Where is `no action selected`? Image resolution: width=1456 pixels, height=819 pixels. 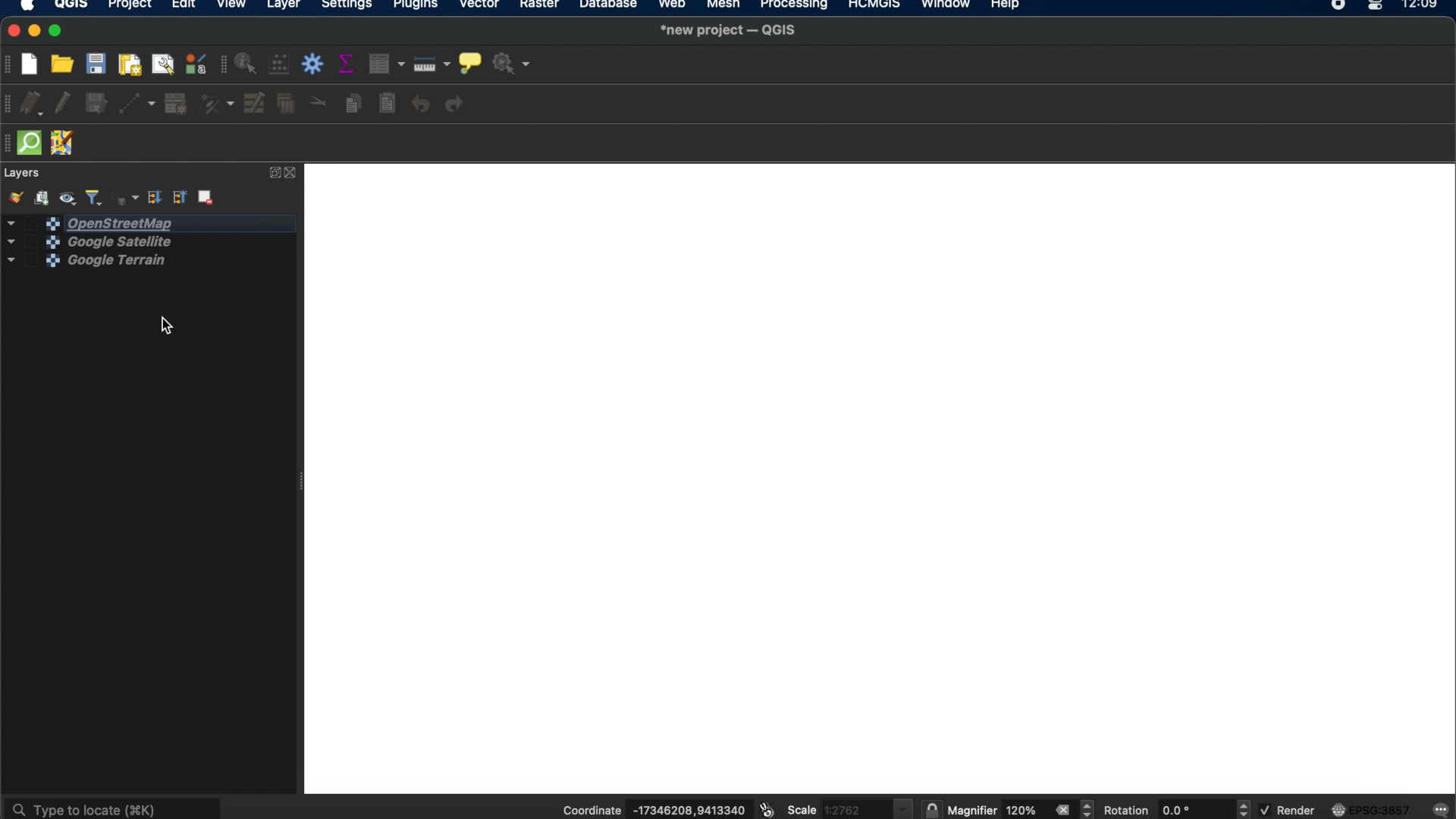 no action selected is located at coordinates (511, 64).